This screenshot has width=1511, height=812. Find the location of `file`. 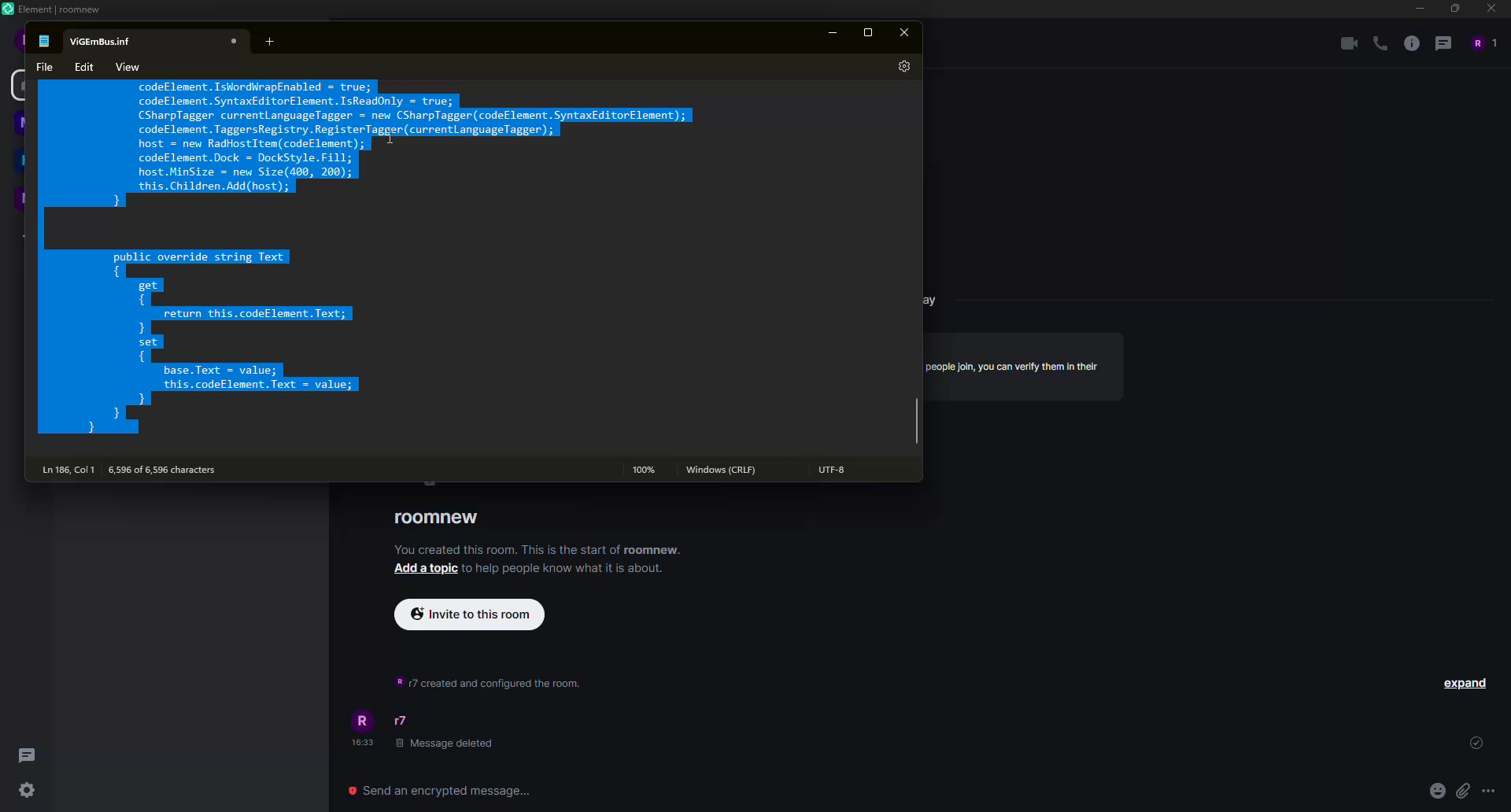

file is located at coordinates (40, 66).